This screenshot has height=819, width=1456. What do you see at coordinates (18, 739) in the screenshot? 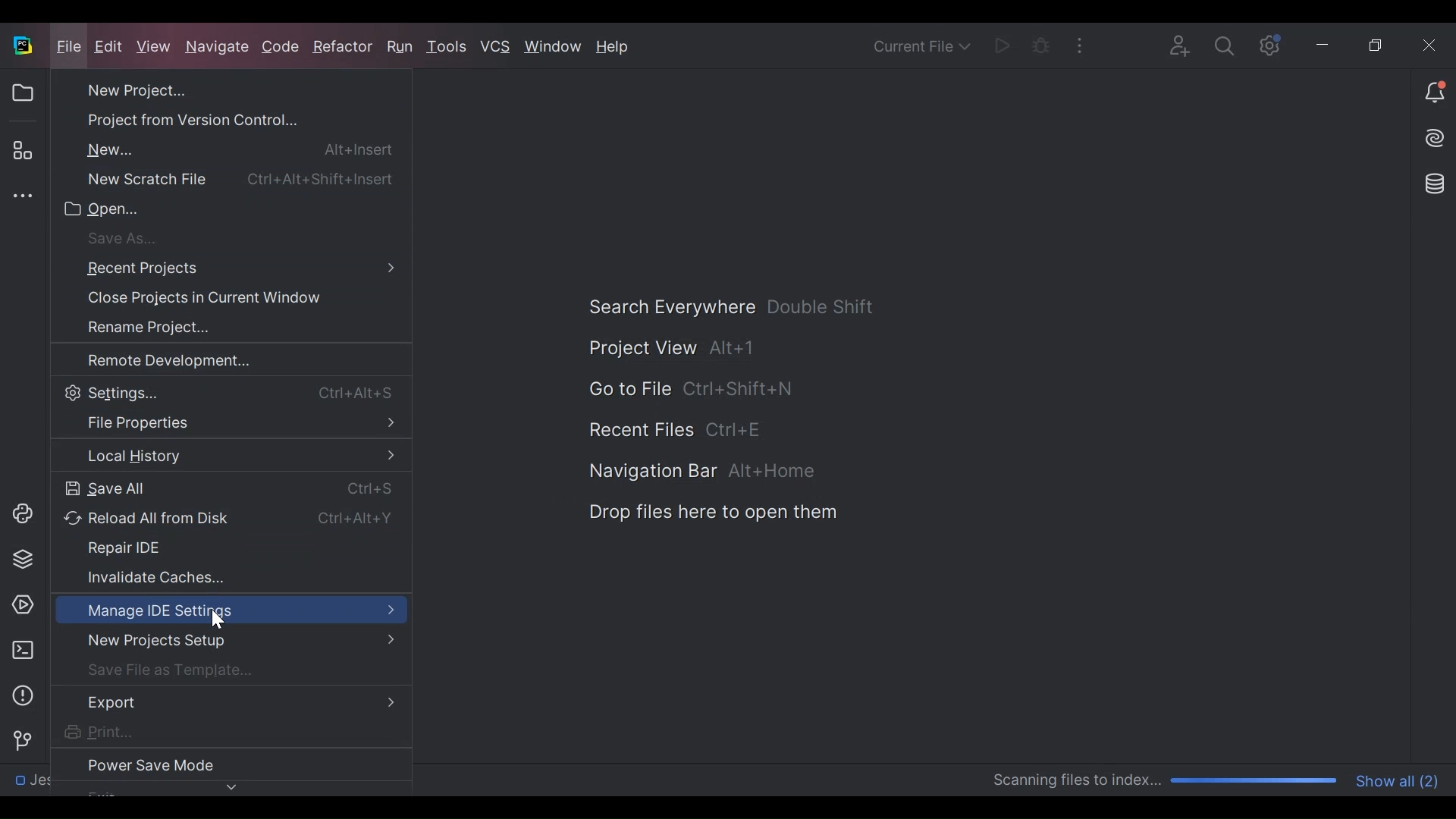
I see `Git` at bounding box center [18, 739].